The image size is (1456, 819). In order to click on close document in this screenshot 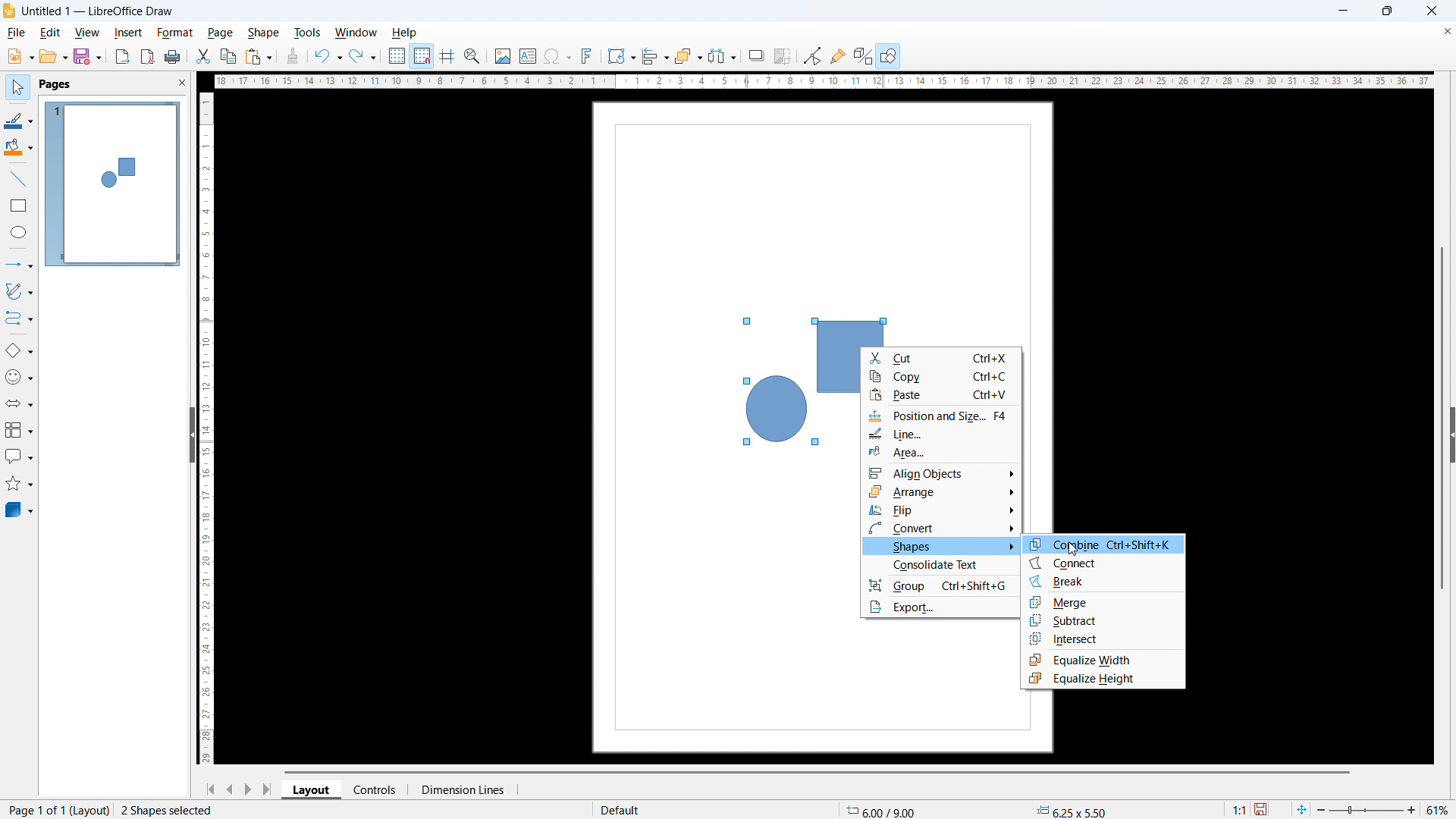, I will do `click(1447, 30)`.